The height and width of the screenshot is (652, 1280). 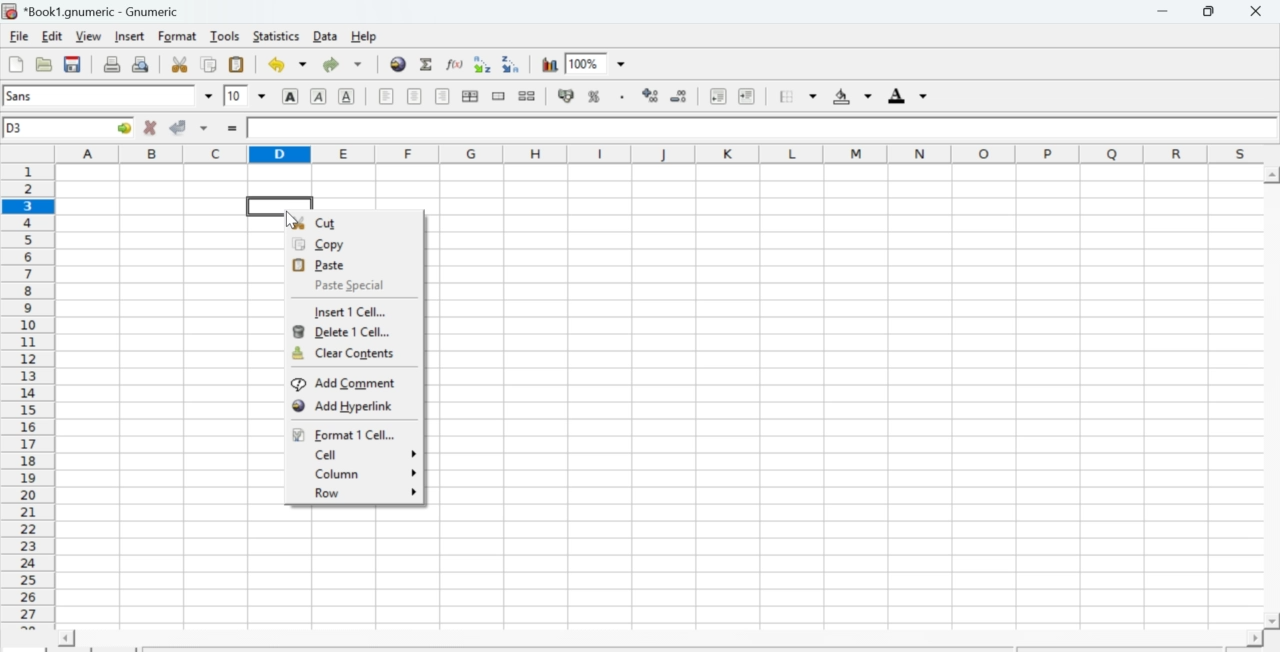 I want to click on Delete 1 cell, so click(x=345, y=332).